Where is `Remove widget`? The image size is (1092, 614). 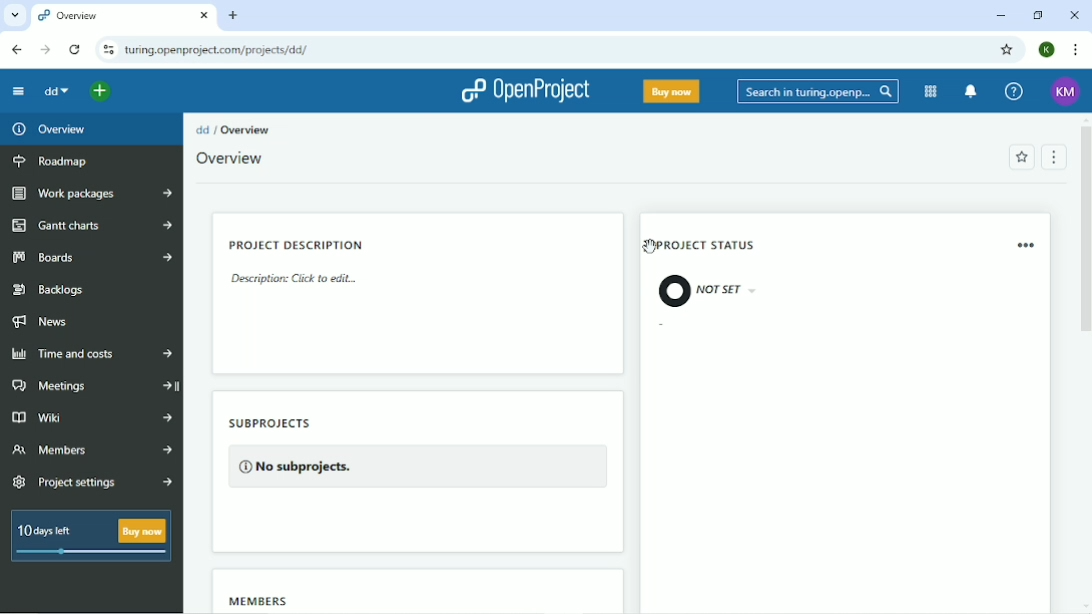 Remove widget is located at coordinates (1028, 245).